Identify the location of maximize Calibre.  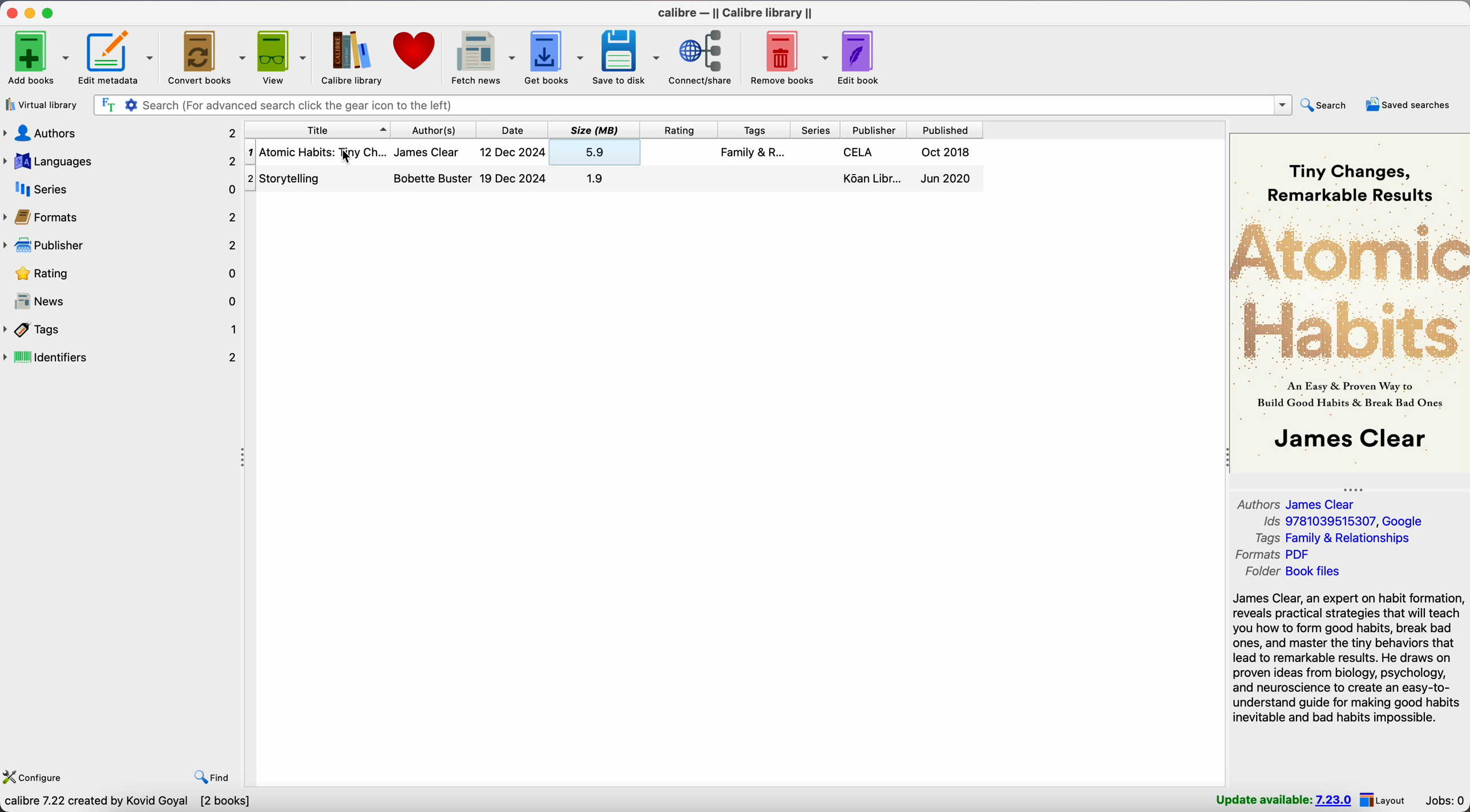
(49, 11).